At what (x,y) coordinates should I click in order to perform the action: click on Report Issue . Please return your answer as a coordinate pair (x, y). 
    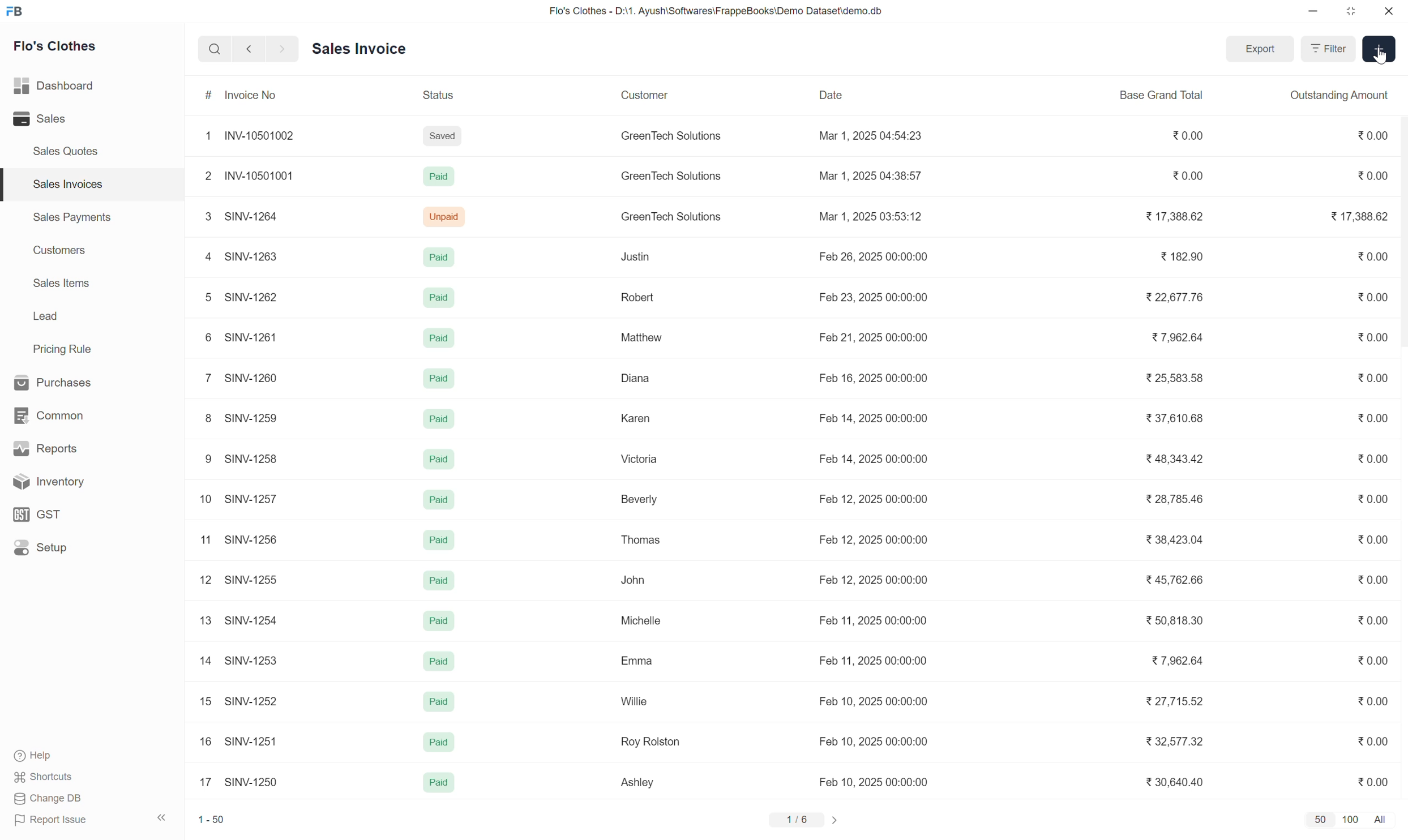
    Looking at the image, I should click on (60, 822).